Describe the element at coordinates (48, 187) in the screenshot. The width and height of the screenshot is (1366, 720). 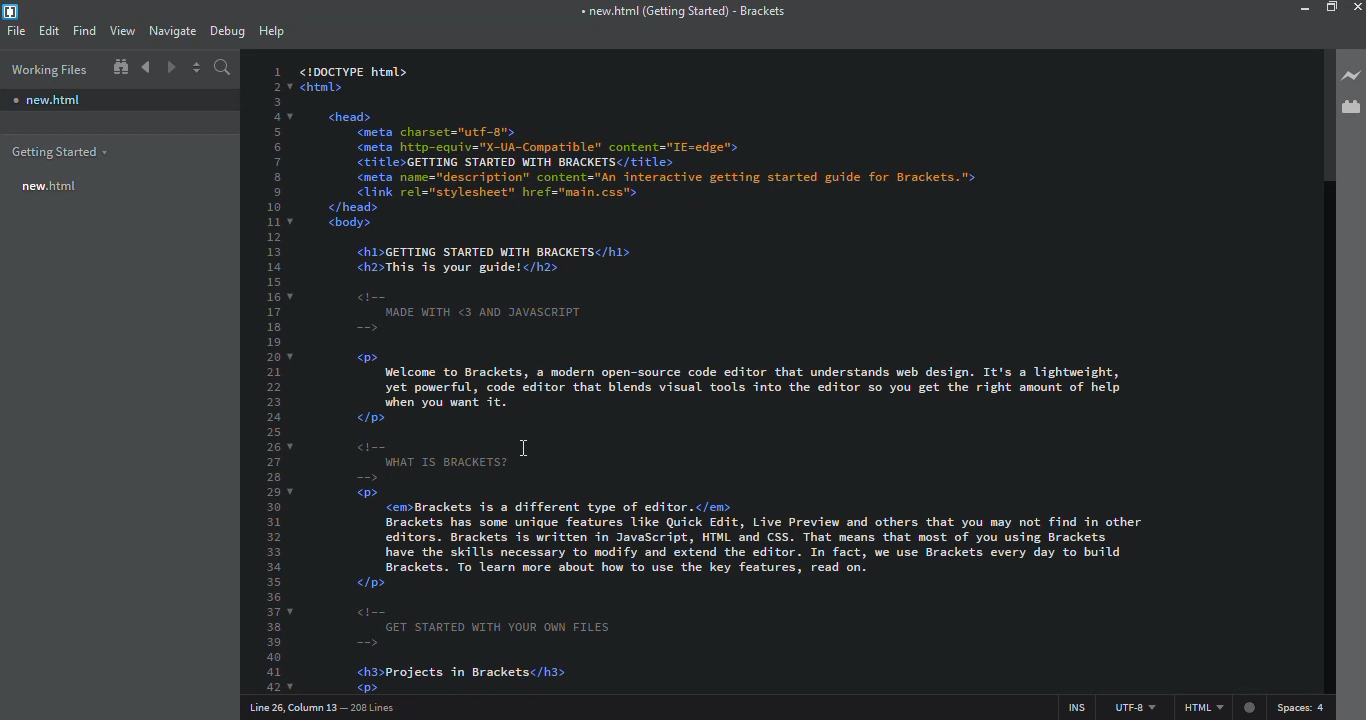
I see `new` at that location.